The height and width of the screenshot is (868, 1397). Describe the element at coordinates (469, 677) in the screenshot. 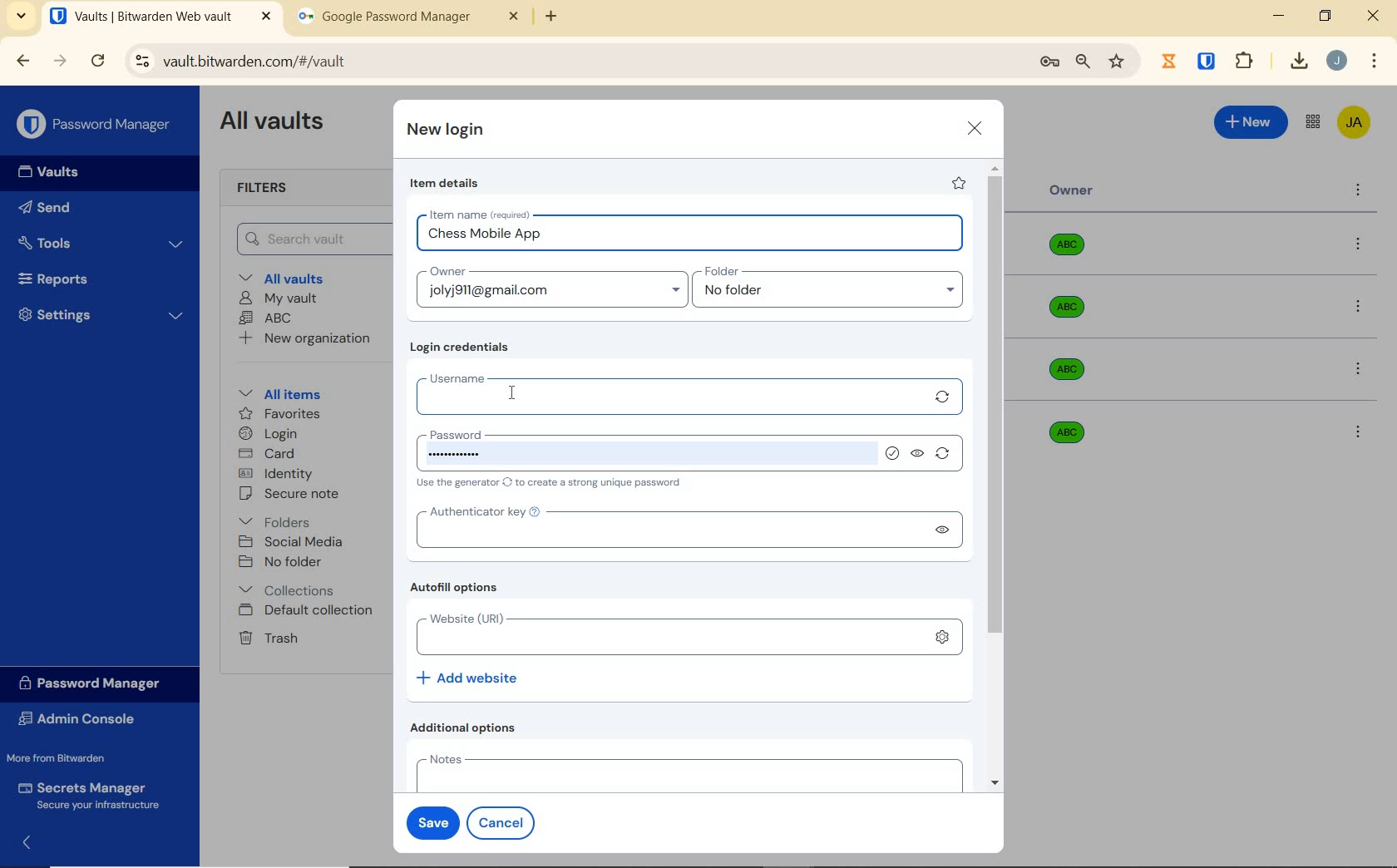

I see `Add website` at that location.